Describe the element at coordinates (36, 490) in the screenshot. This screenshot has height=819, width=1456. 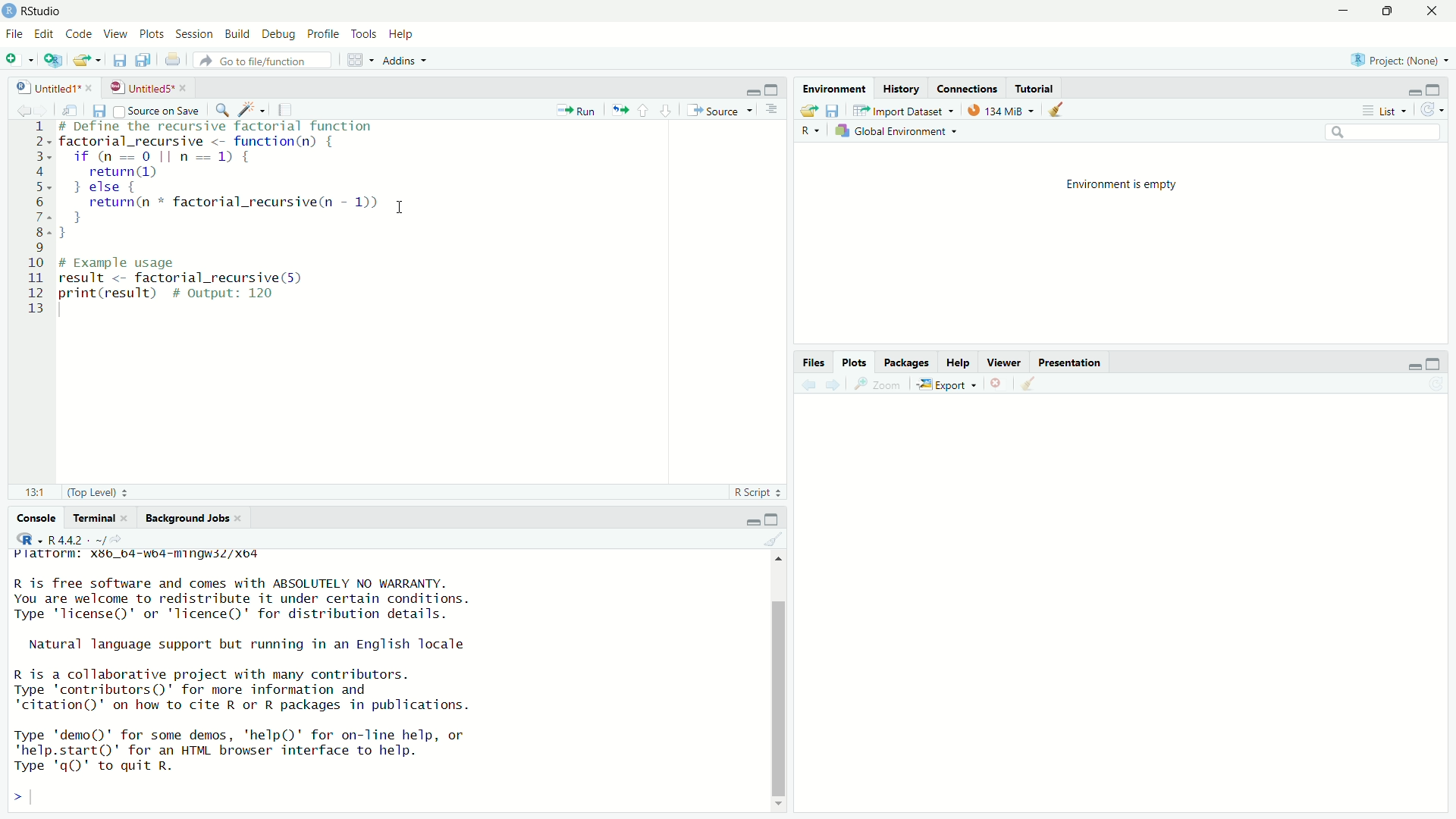
I see `13:1` at that location.